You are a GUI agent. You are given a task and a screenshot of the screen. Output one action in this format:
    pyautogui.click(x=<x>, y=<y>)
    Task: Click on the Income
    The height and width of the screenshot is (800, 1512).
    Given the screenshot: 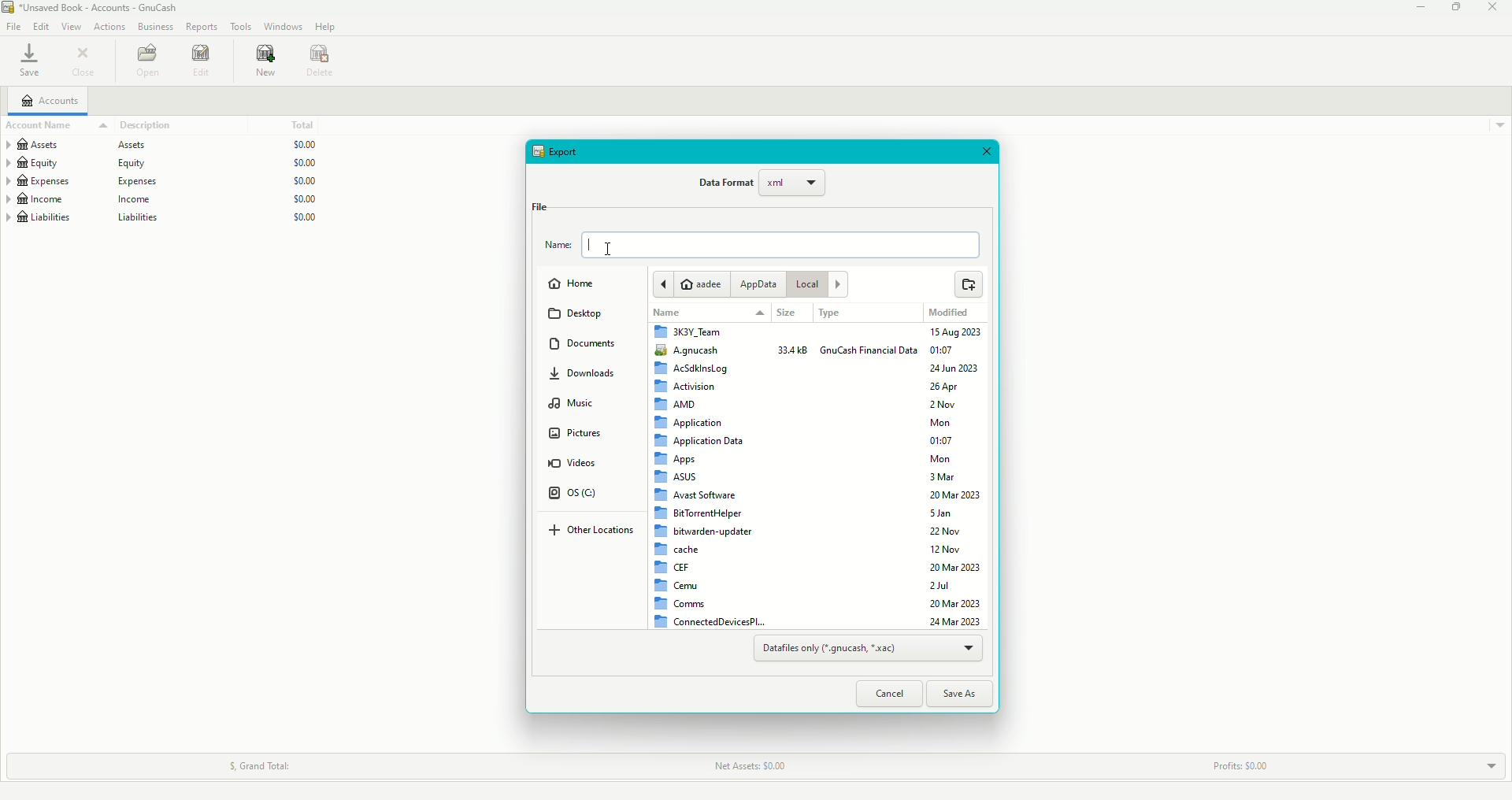 What is the action you would take?
    pyautogui.click(x=166, y=199)
    